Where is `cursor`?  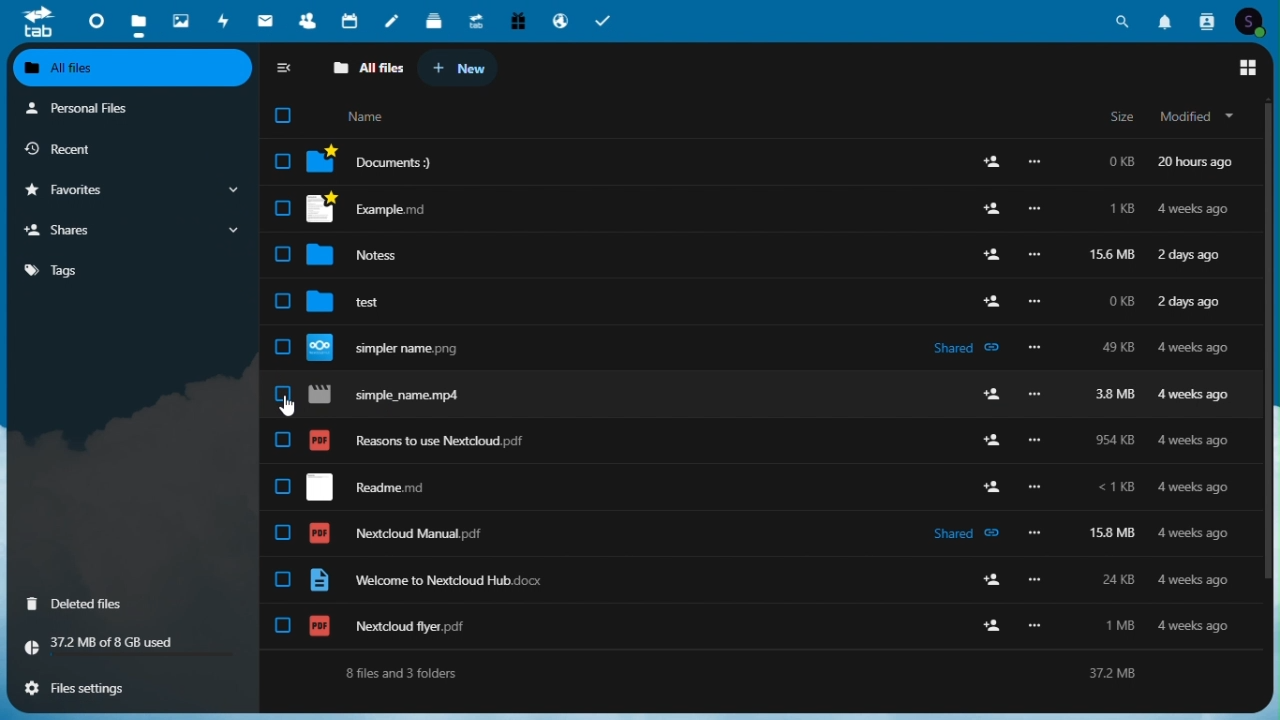
cursor is located at coordinates (292, 406).